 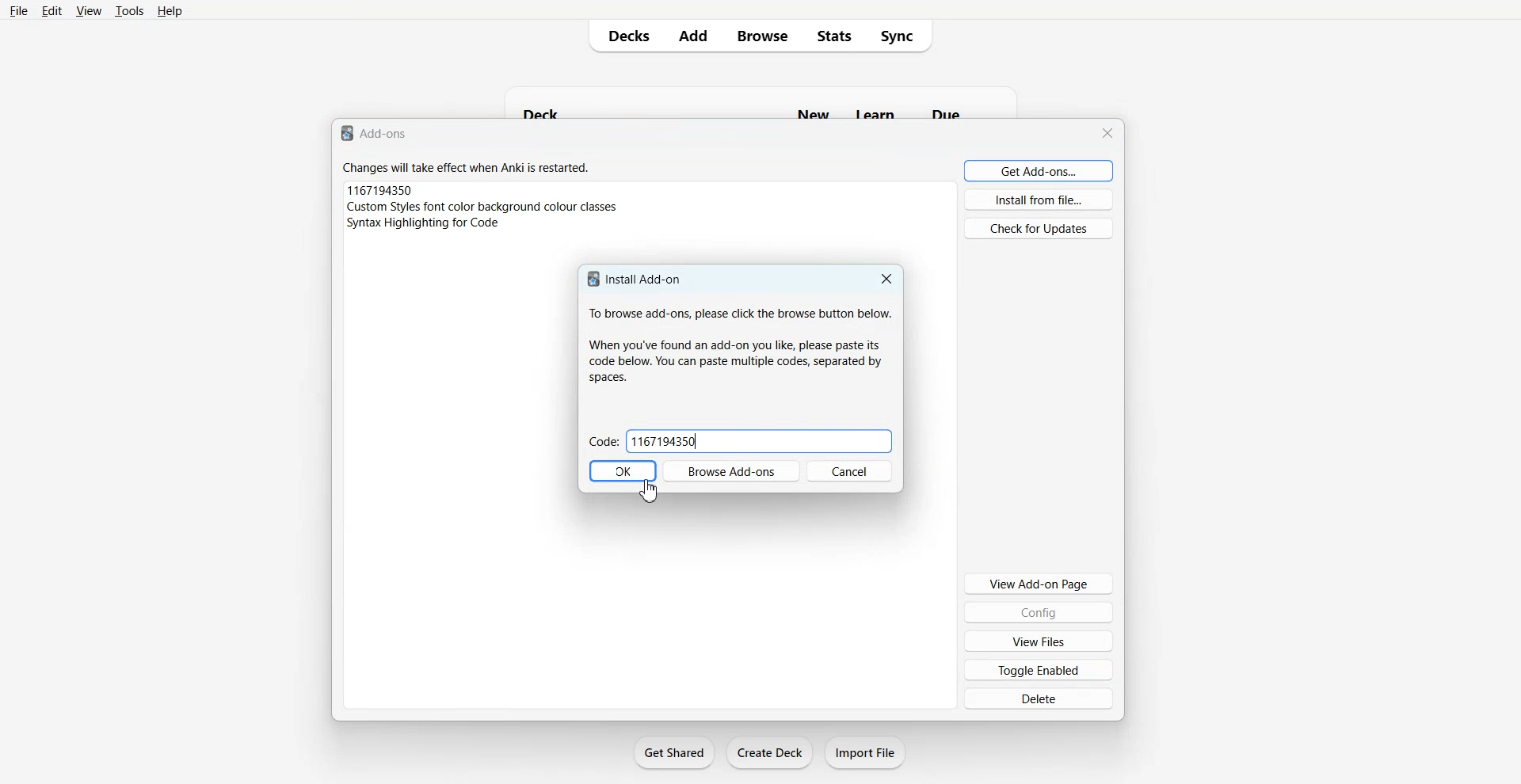 I want to click on To browse add-ons, please click the browse button below. When you've found an add-on you like, please paste its code below. You can paste multiple codes, separated by spaces., so click(x=738, y=344).